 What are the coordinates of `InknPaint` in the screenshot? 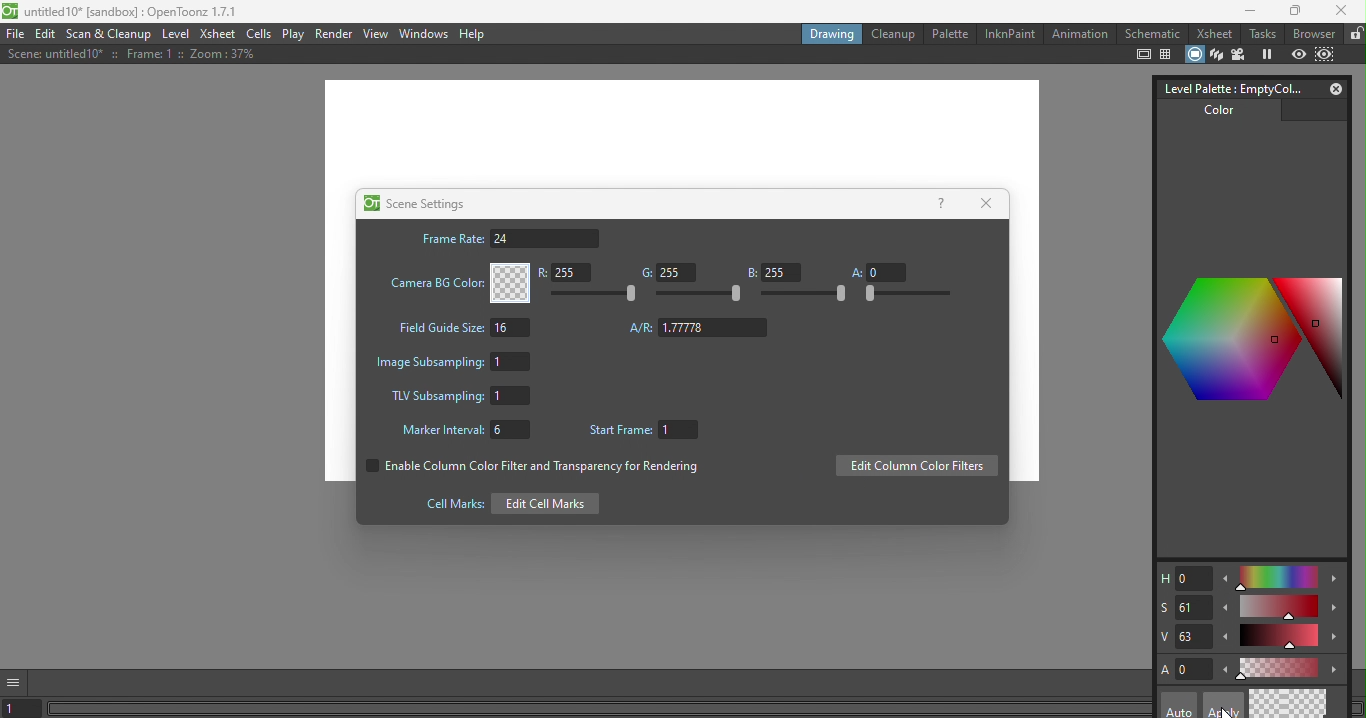 It's located at (1009, 32).